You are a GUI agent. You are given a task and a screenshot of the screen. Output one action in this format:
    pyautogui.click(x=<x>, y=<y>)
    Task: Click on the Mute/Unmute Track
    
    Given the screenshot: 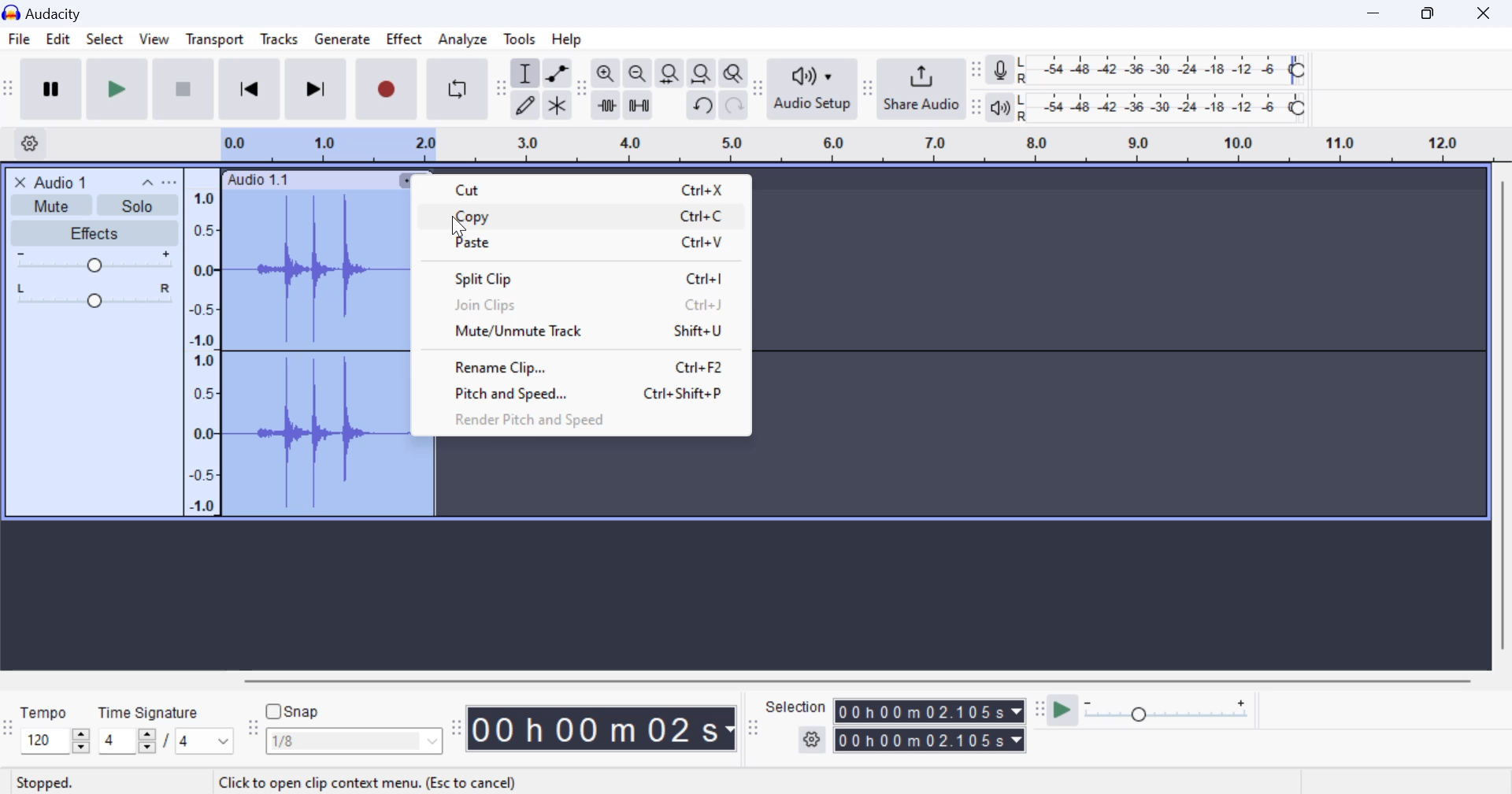 What is the action you would take?
    pyautogui.click(x=573, y=333)
    